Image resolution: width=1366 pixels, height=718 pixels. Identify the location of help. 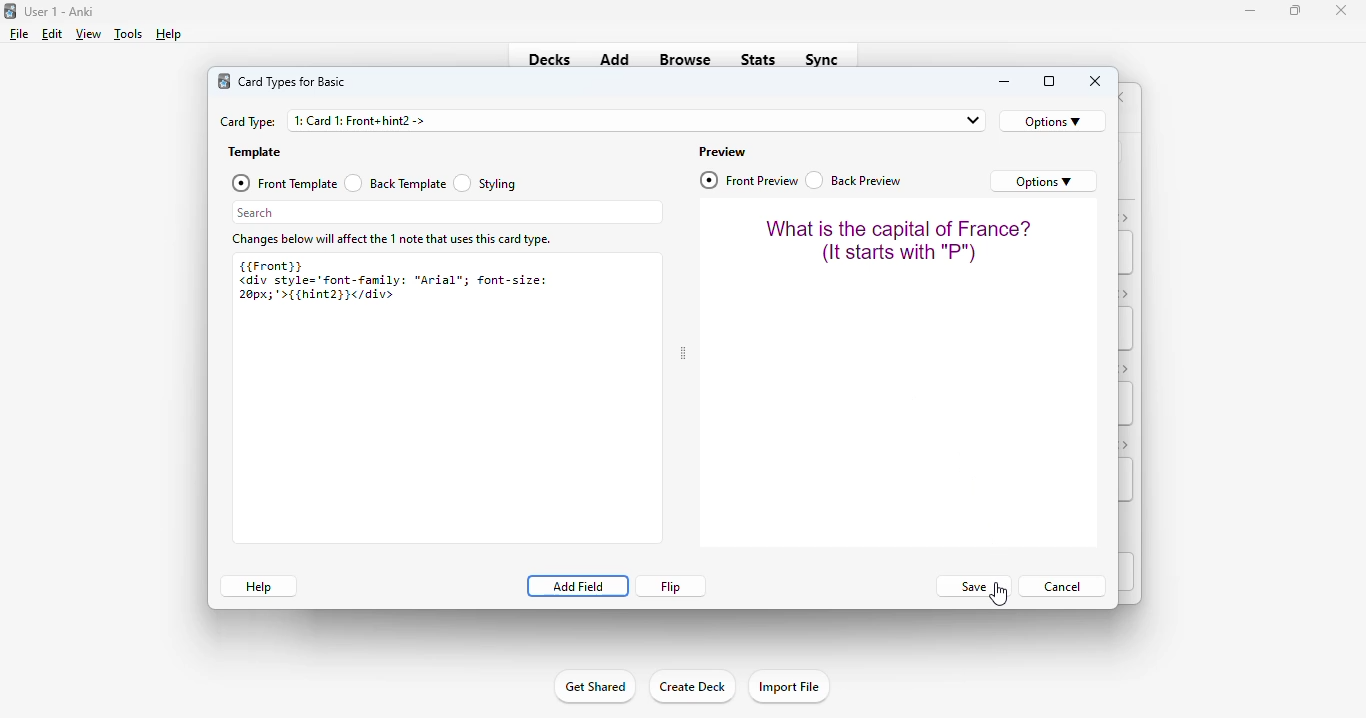
(258, 586).